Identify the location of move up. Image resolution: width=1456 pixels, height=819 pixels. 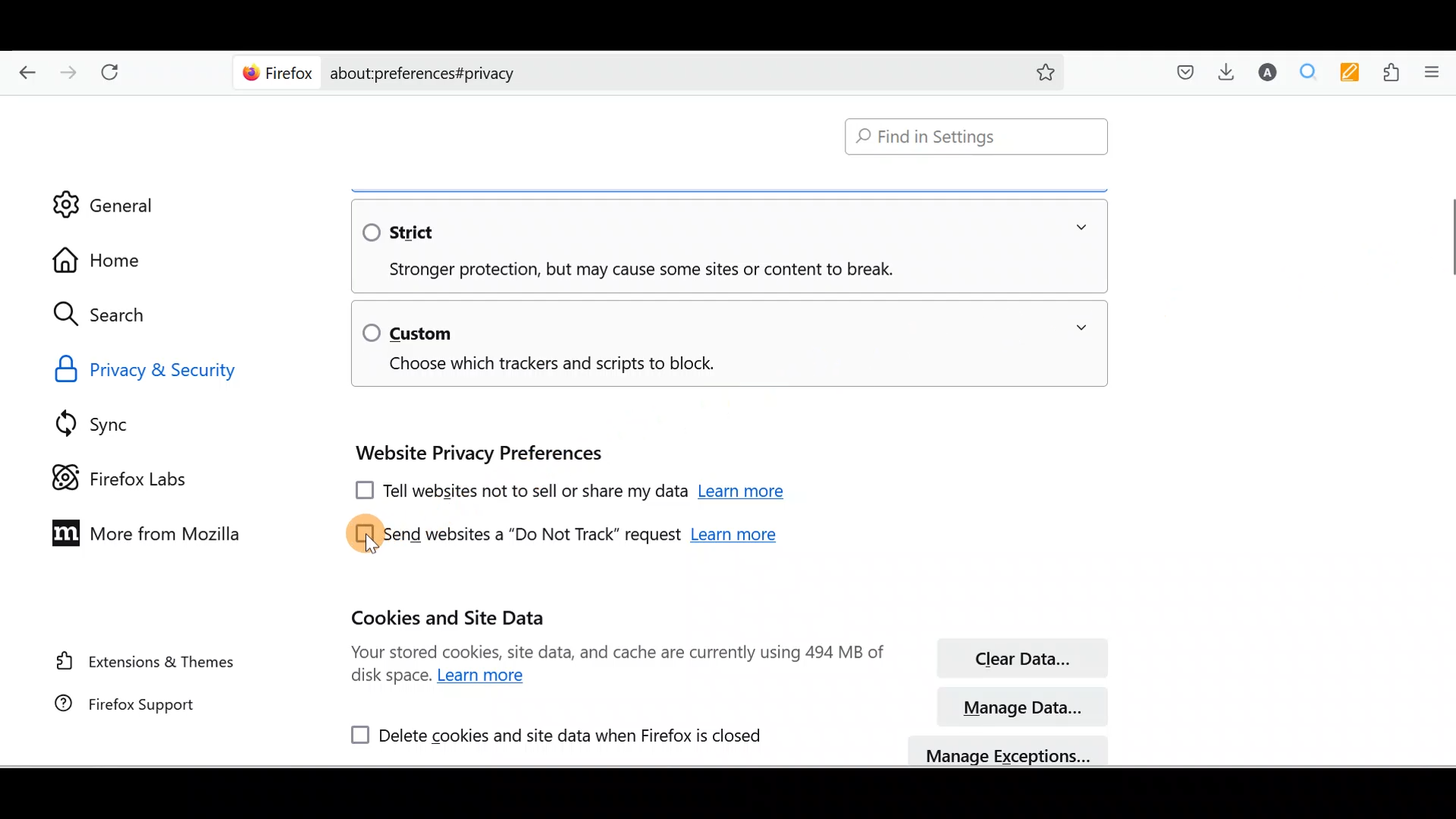
(1447, 102).